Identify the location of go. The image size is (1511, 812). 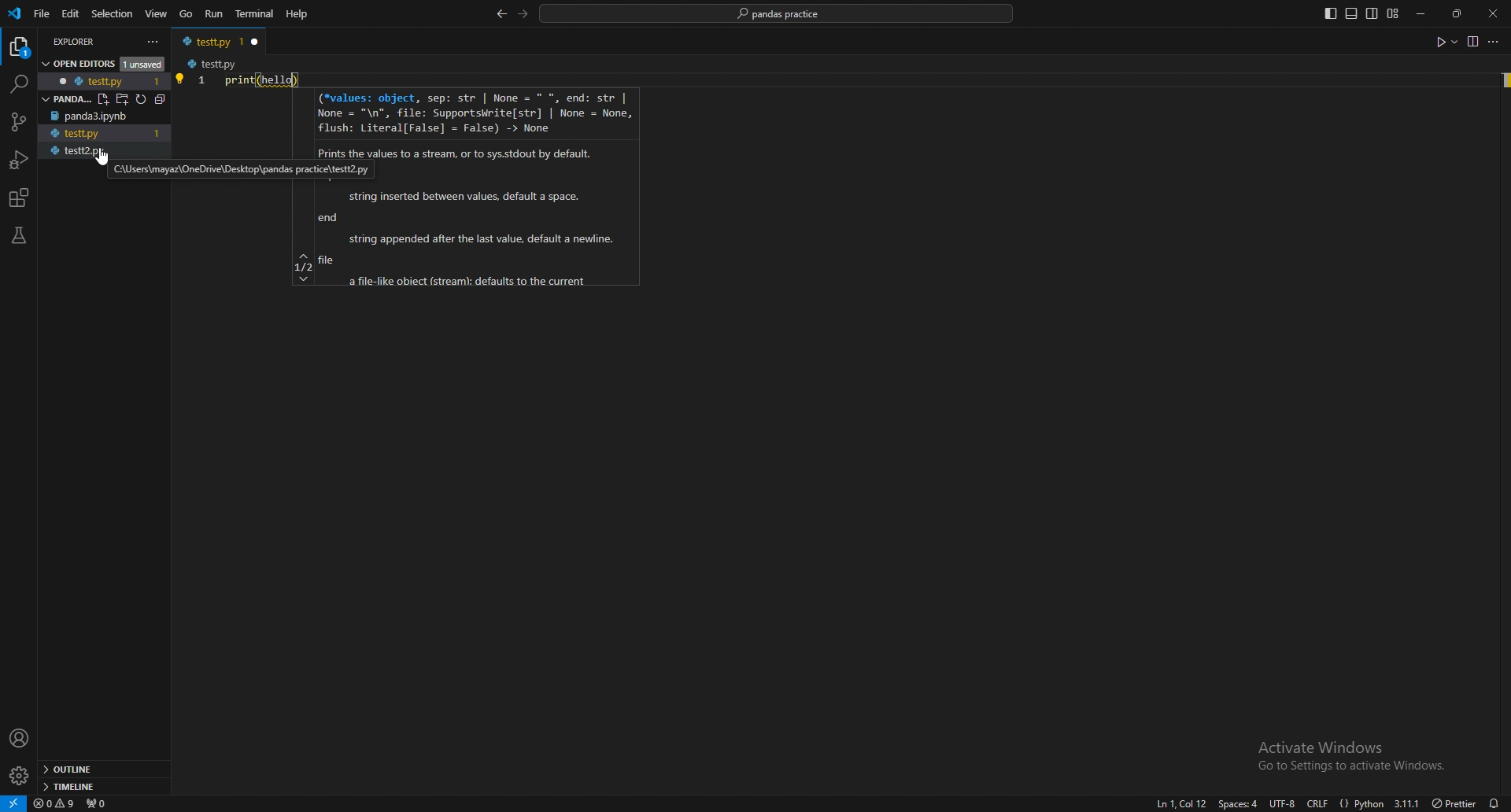
(186, 15).